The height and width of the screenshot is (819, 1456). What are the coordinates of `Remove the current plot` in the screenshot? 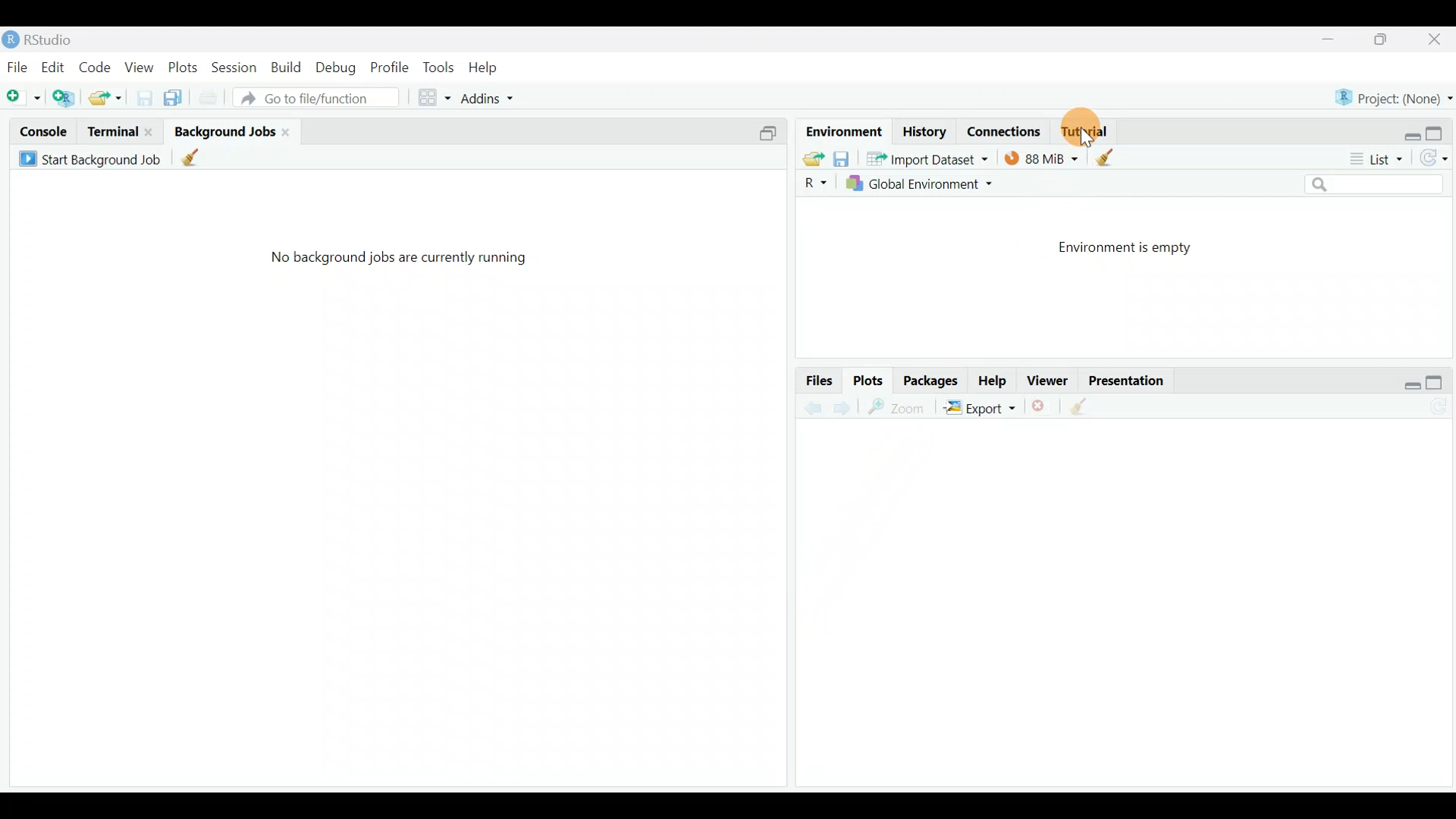 It's located at (1042, 406).